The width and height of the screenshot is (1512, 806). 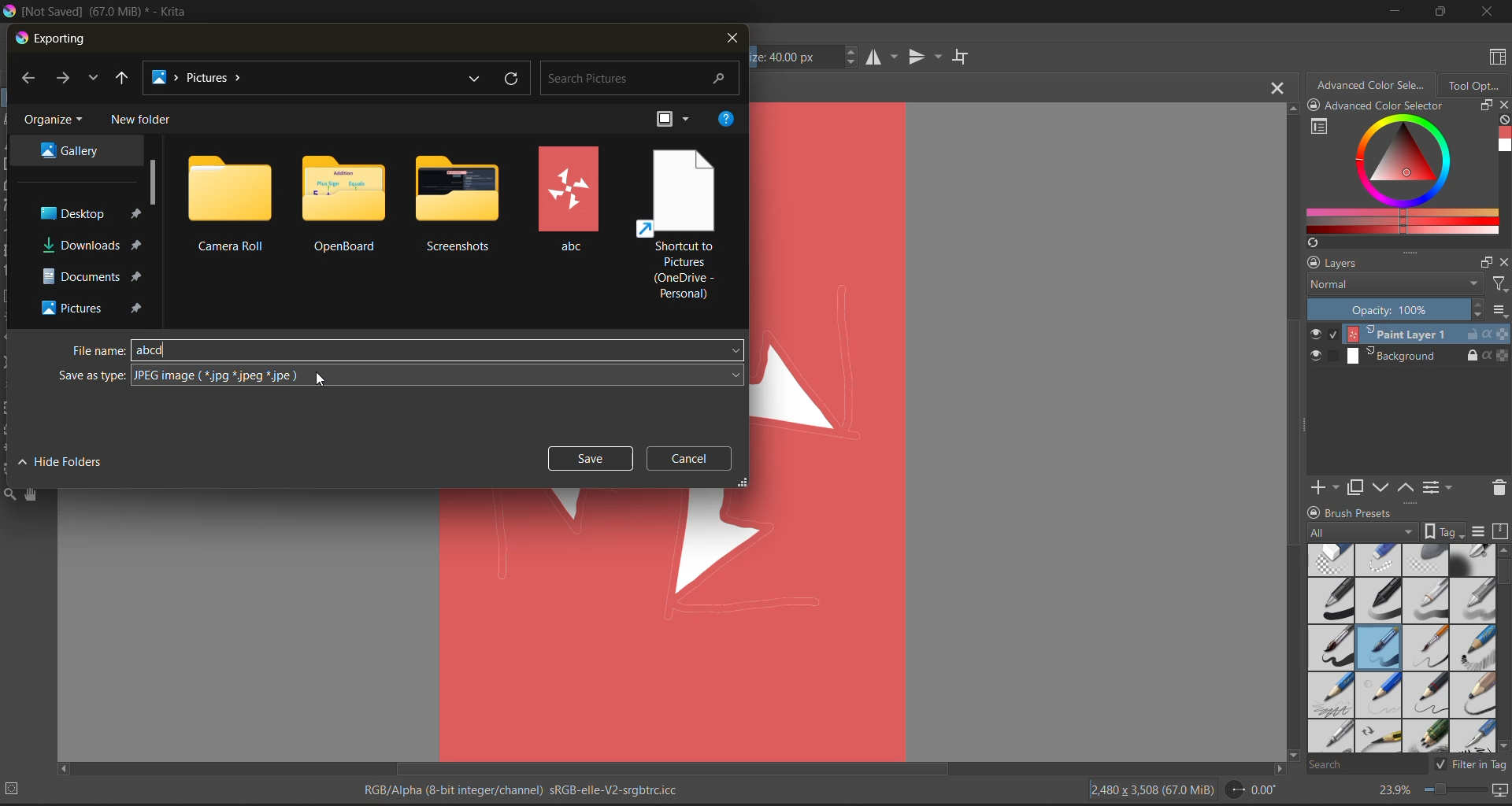 What do you see at coordinates (109, 13) in the screenshot?
I see `app name and file name` at bounding box center [109, 13].